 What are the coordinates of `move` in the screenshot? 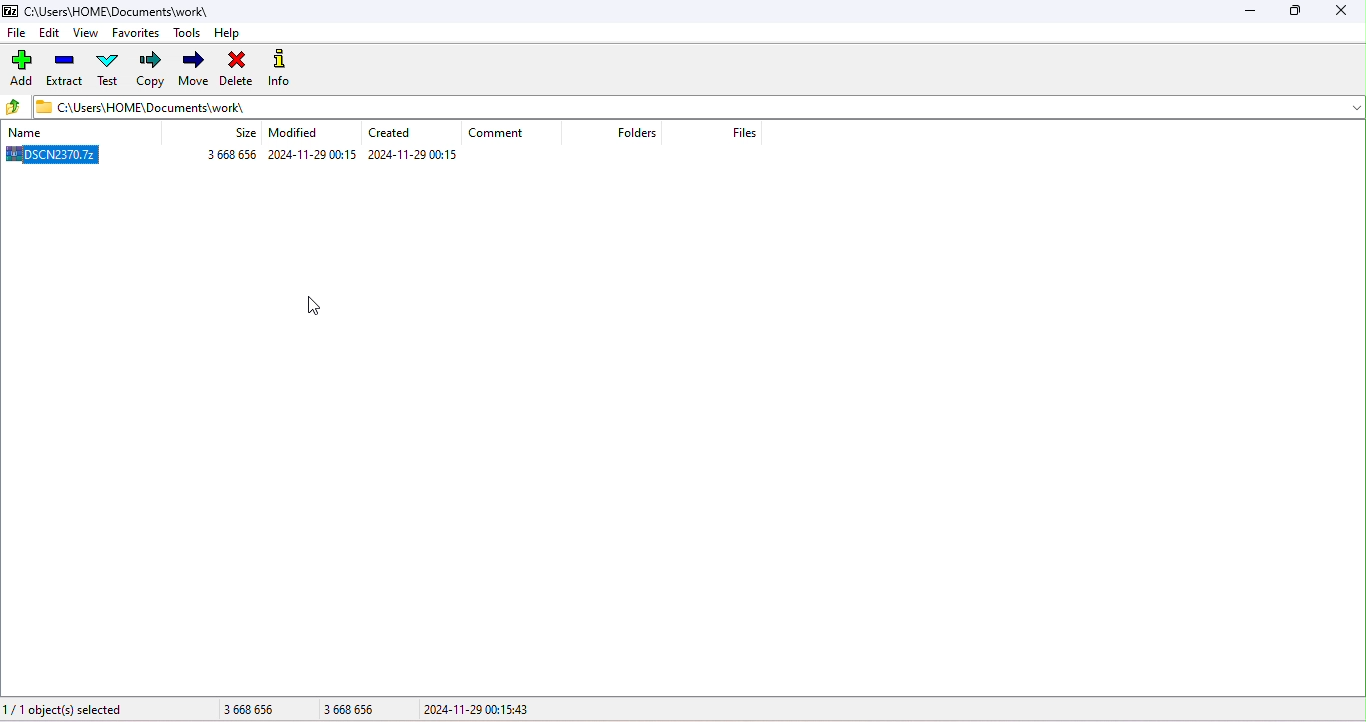 It's located at (195, 68).